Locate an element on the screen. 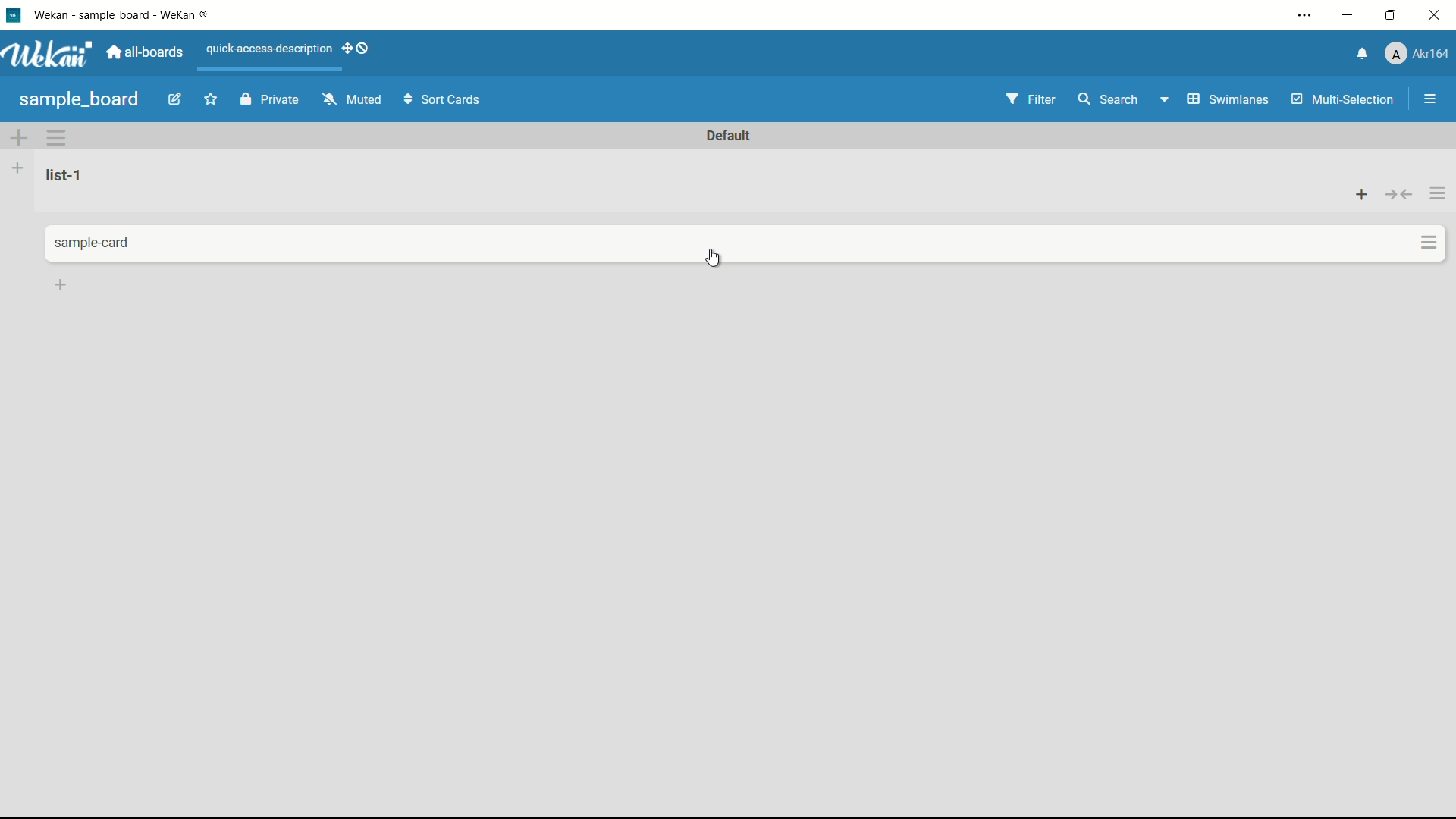  minimize is located at coordinates (1346, 16).